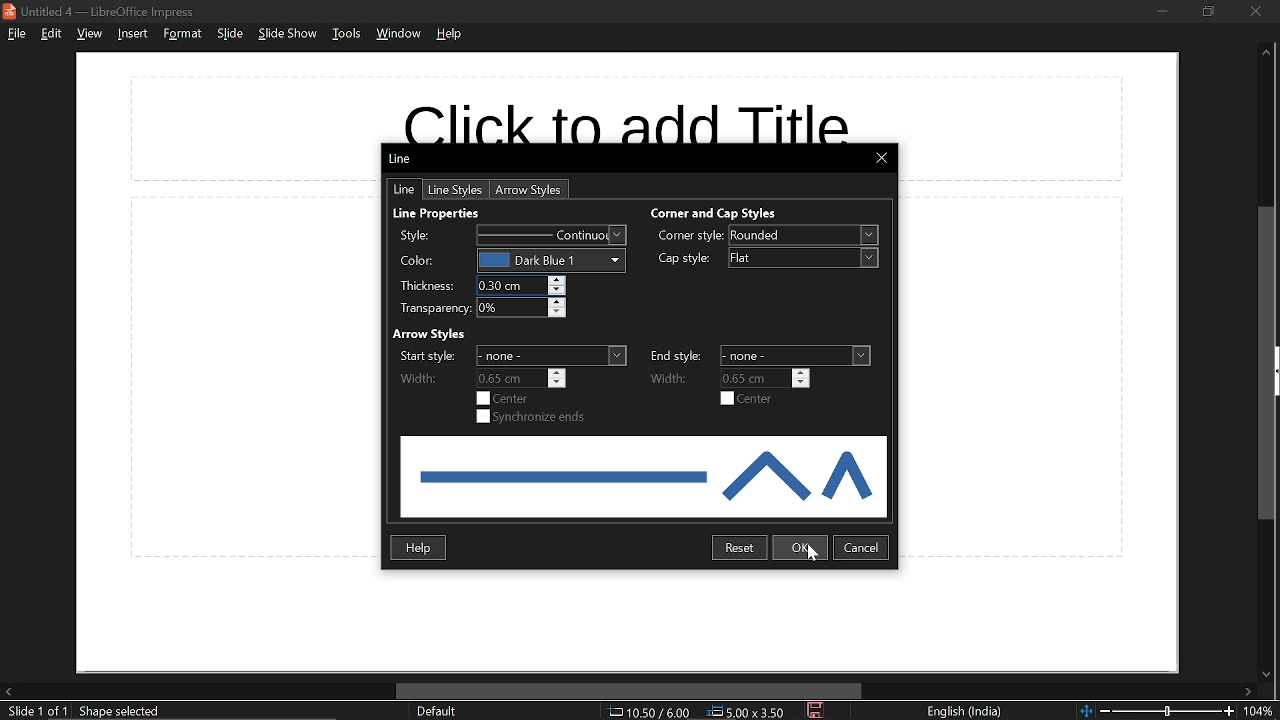 The image size is (1280, 720). What do you see at coordinates (883, 159) in the screenshot?
I see `close` at bounding box center [883, 159].